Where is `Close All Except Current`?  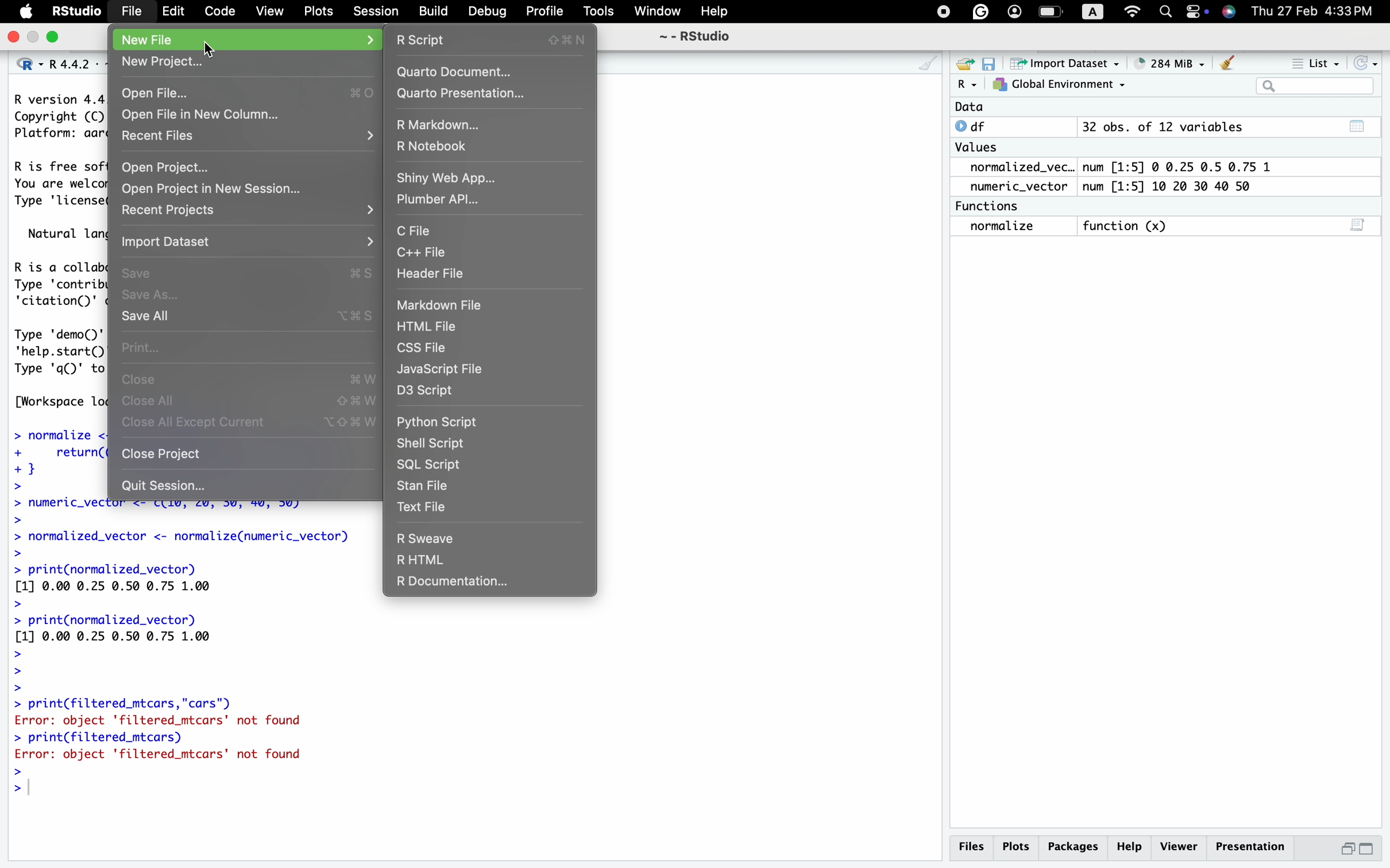 Close All Except Current is located at coordinates (252, 423).